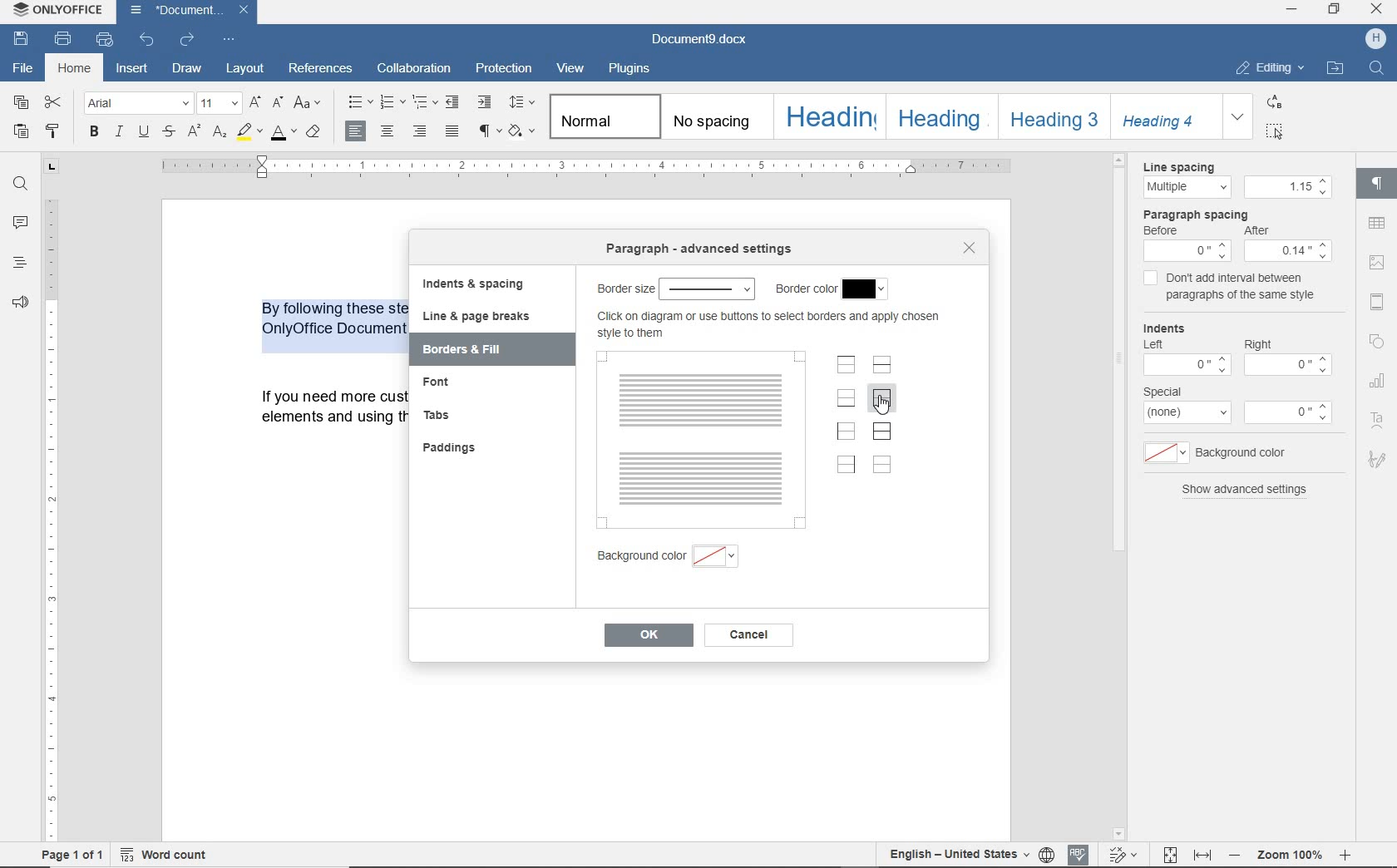 This screenshot has width=1397, height=868. What do you see at coordinates (881, 431) in the screenshot?
I see `set outer border and inner lines` at bounding box center [881, 431].